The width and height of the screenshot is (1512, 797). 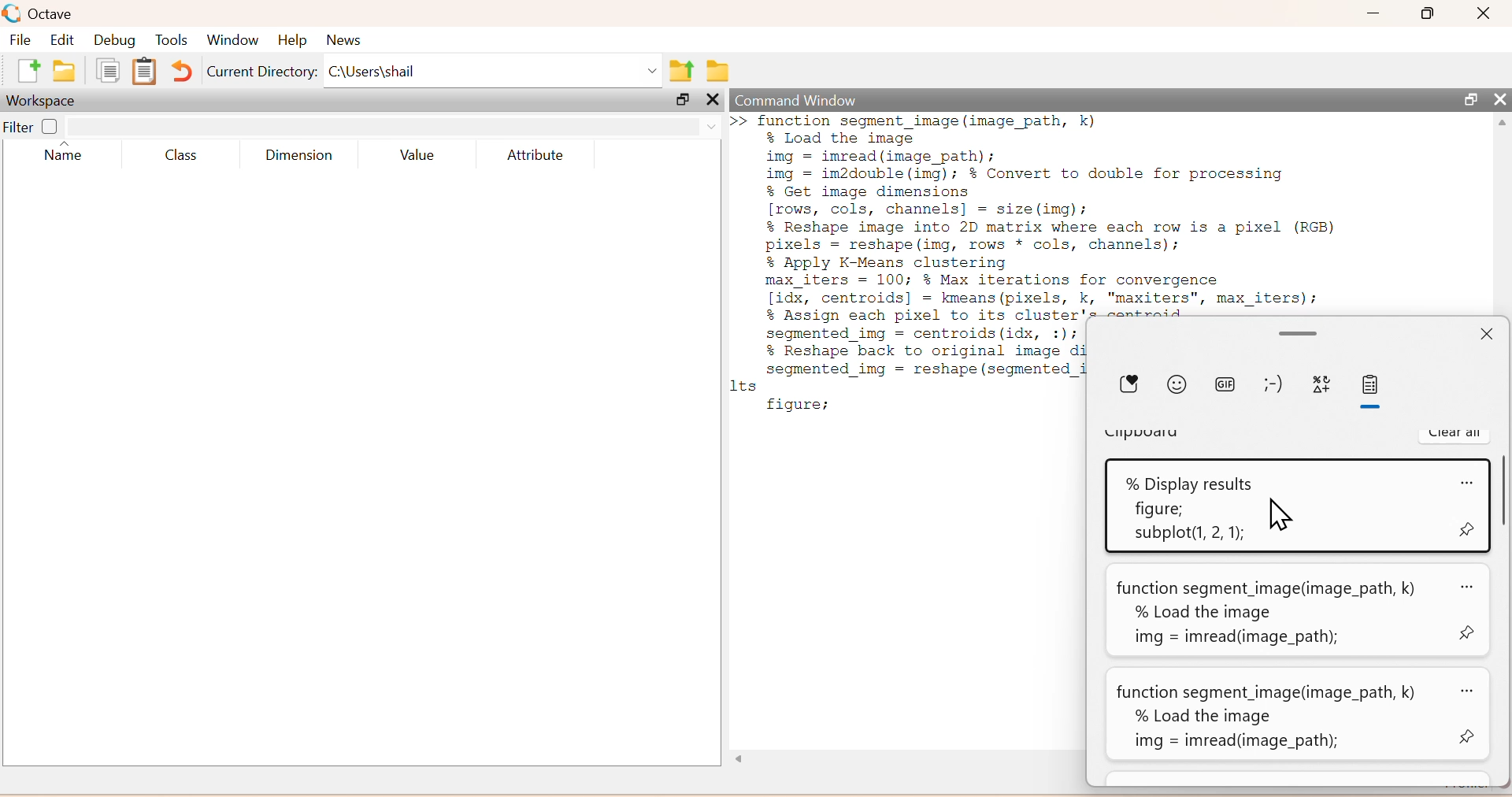 I want to click on Current Directory:, so click(x=262, y=74).